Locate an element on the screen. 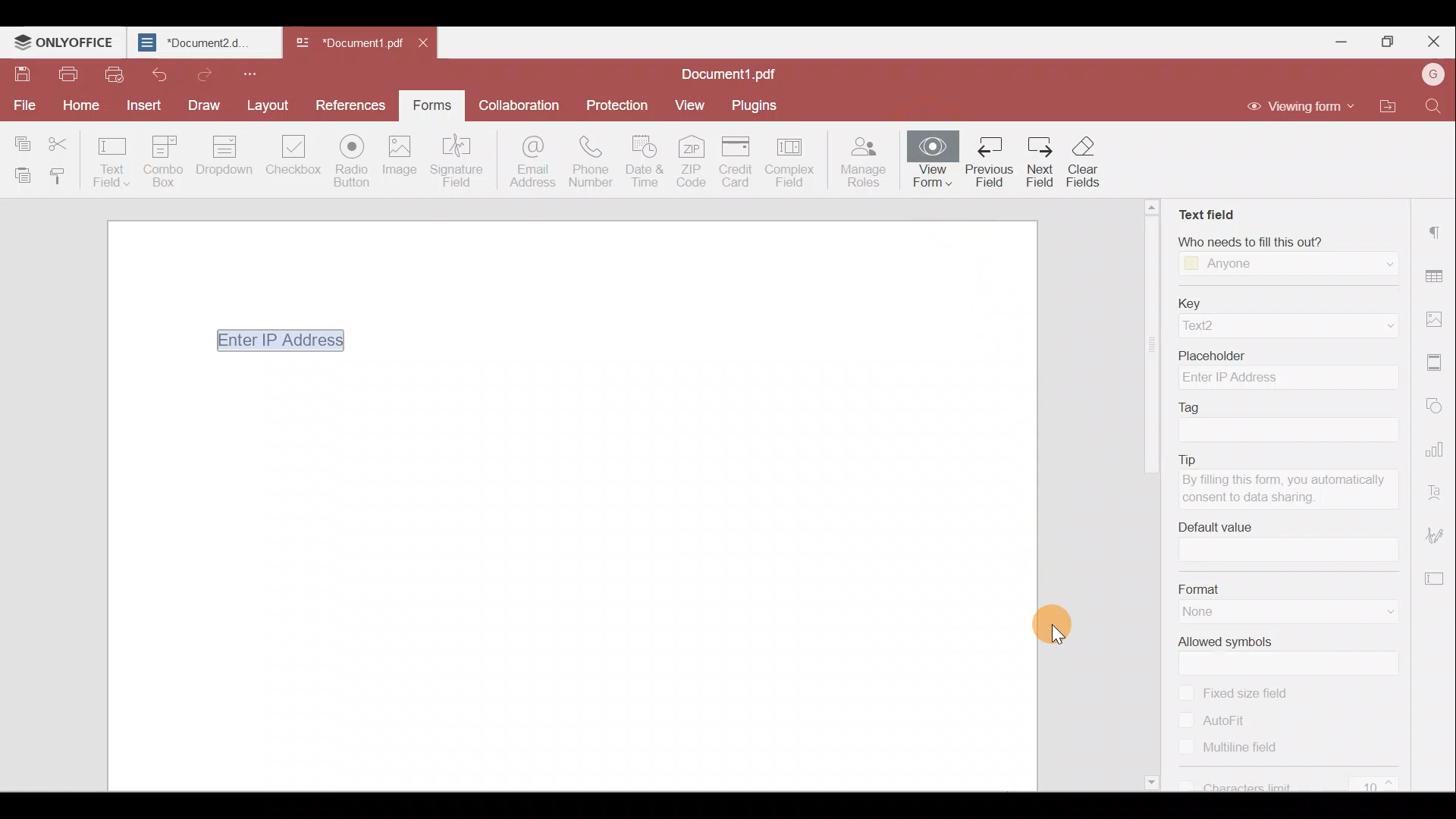 The image size is (1456, 819). checkbox is located at coordinates (1183, 783).